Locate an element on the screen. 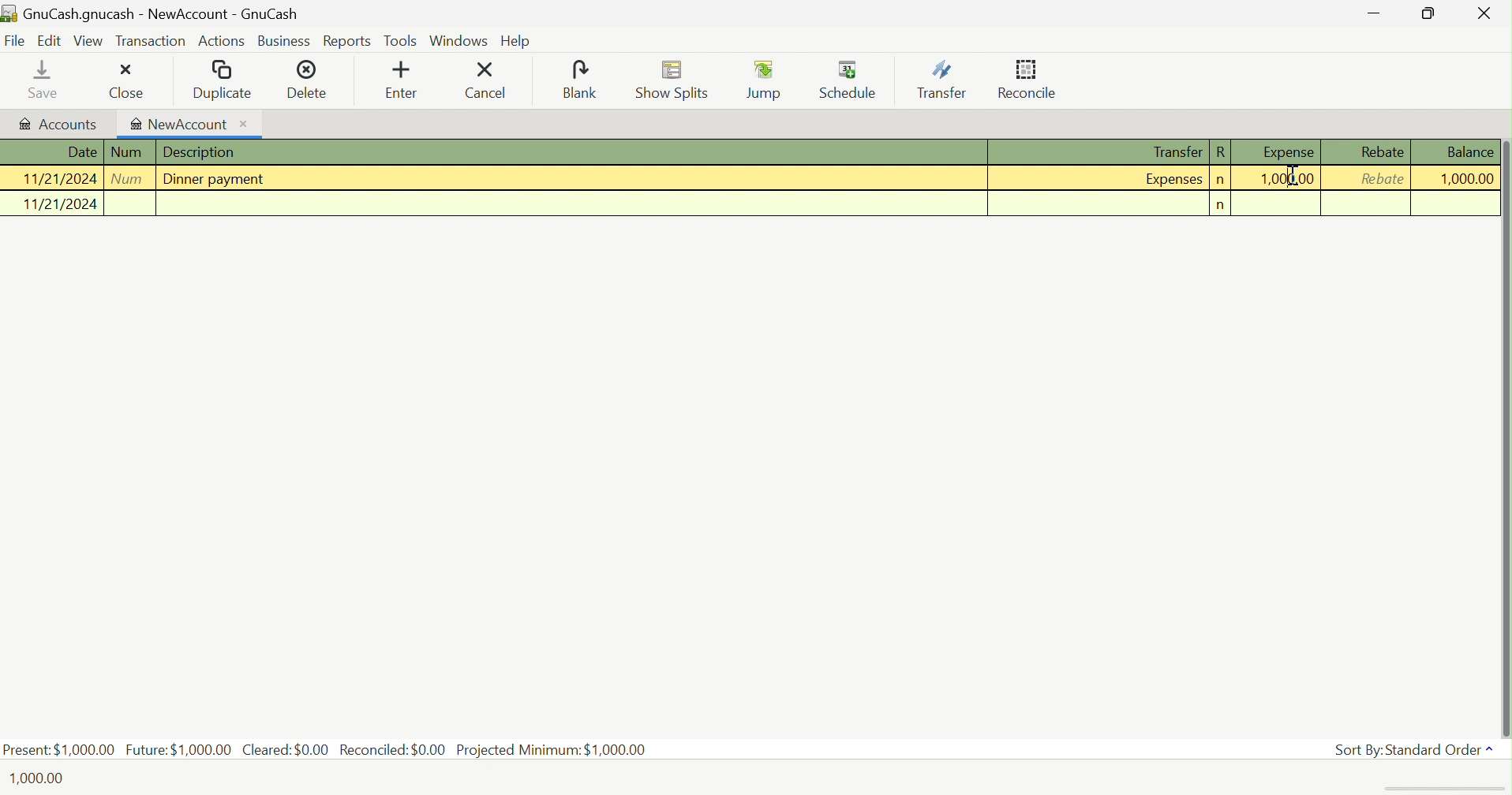 The height and width of the screenshot is (795, 1512). Expenses is located at coordinates (1174, 178).